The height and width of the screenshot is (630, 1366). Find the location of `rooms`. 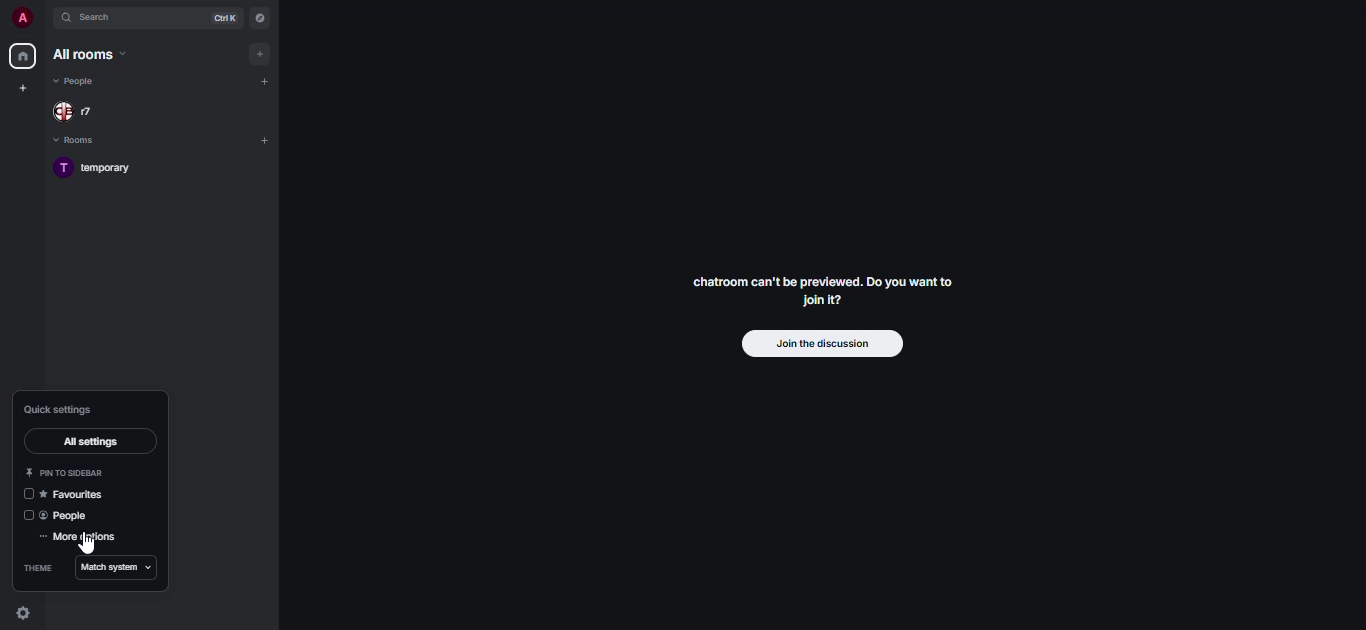

rooms is located at coordinates (73, 141).